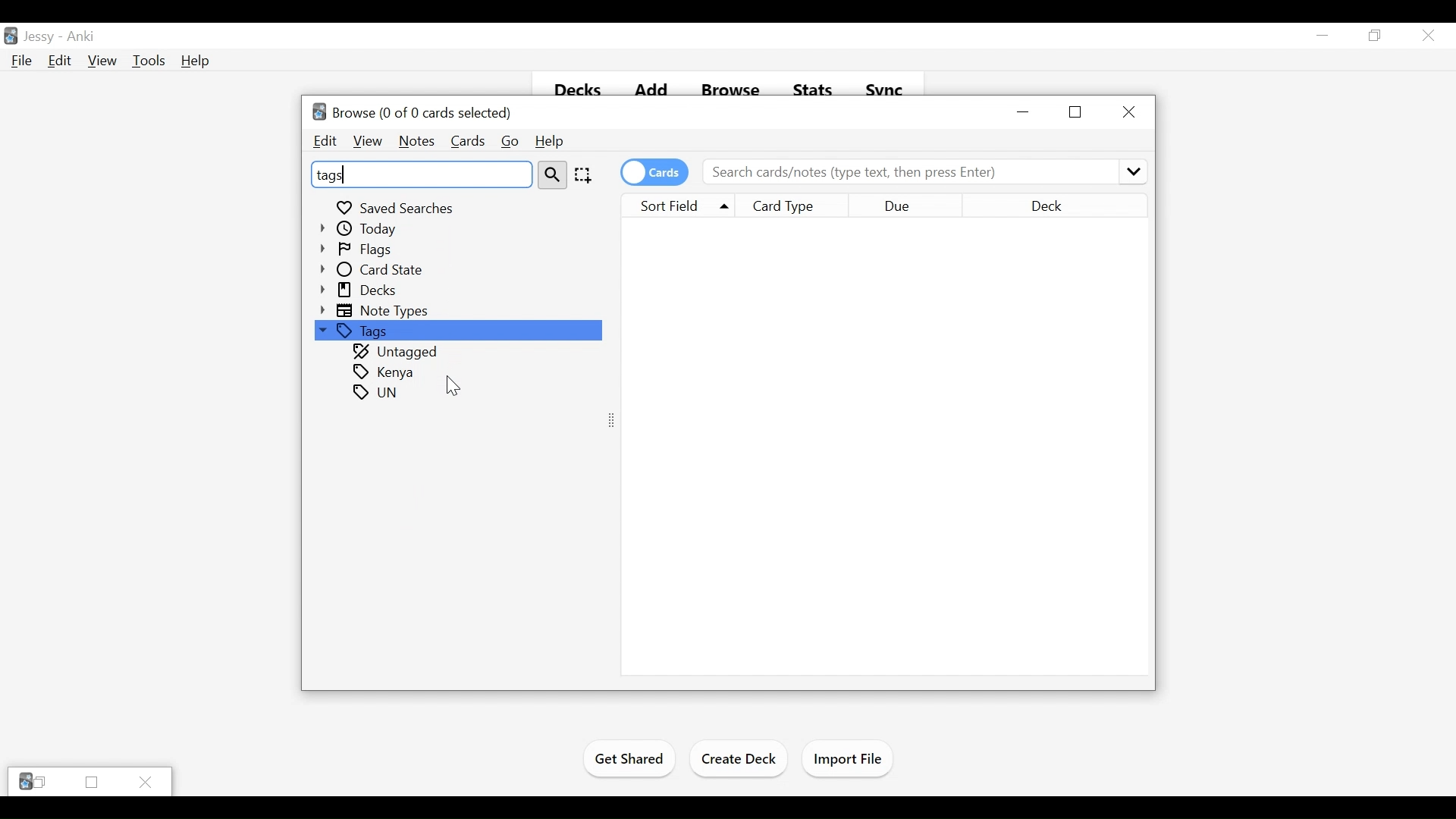 Image resolution: width=1456 pixels, height=819 pixels. What do you see at coordinates (675, 205) in the screenshot?
I see `Sort Field` at bounding box center [675, 205].